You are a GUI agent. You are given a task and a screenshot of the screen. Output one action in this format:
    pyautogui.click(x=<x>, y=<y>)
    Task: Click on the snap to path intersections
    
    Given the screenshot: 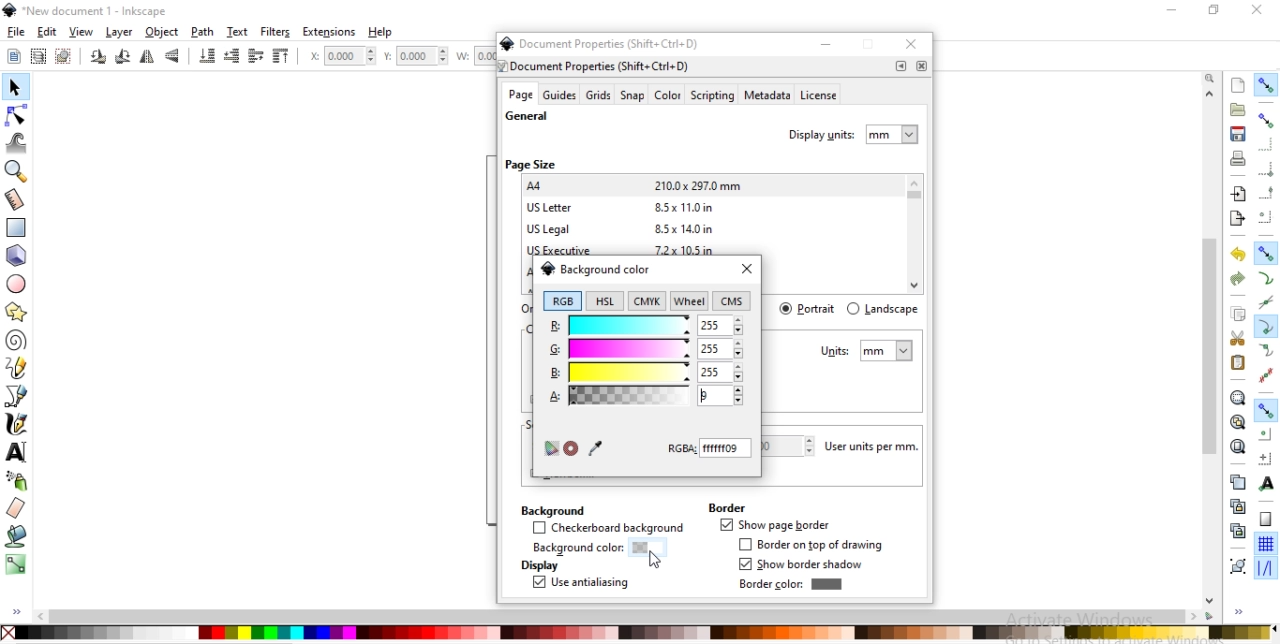 What is the action you would take?
    pyautogui.click(x=1265, y=303)
    